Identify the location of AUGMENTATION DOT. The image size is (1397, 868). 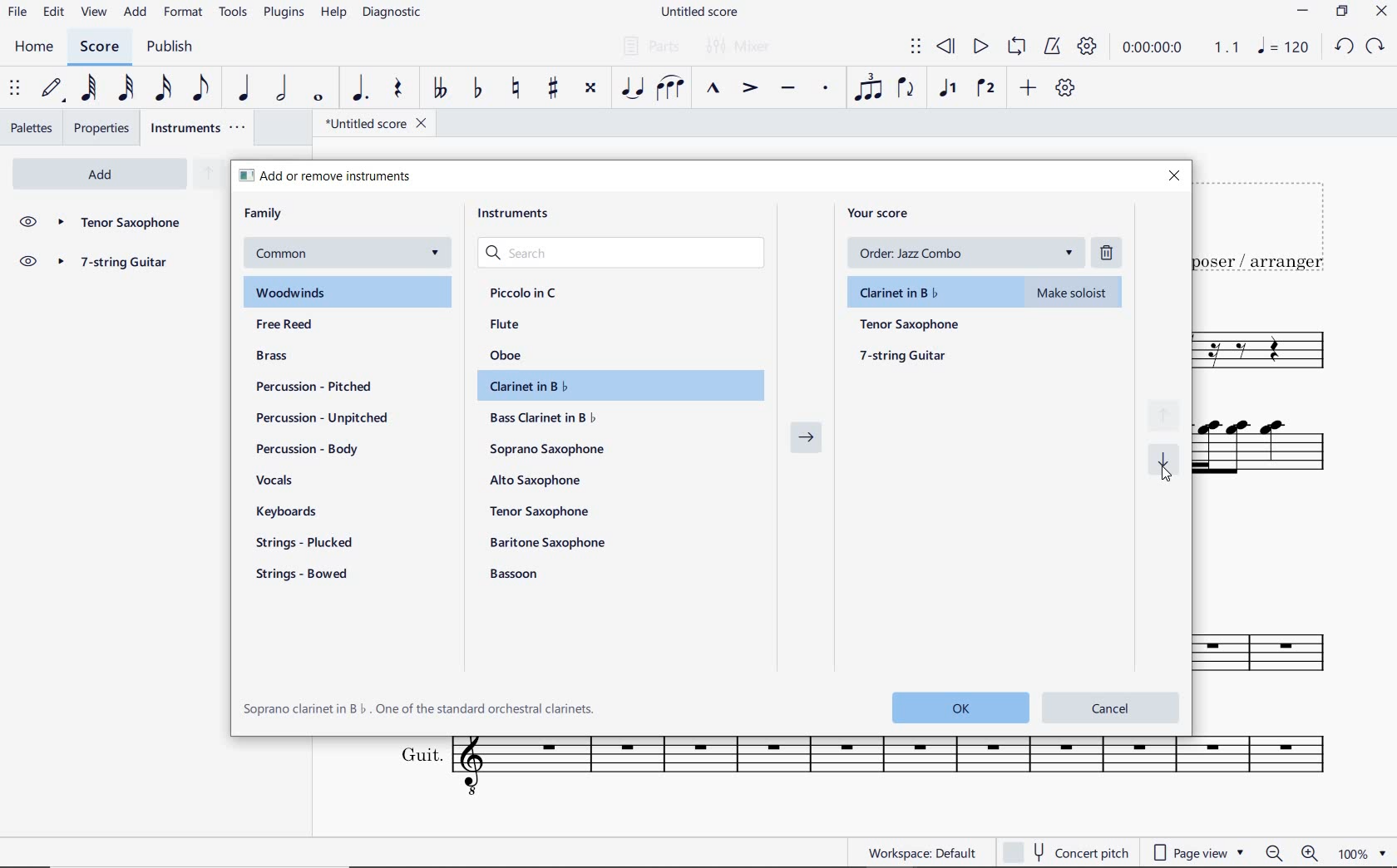
(361, 89).